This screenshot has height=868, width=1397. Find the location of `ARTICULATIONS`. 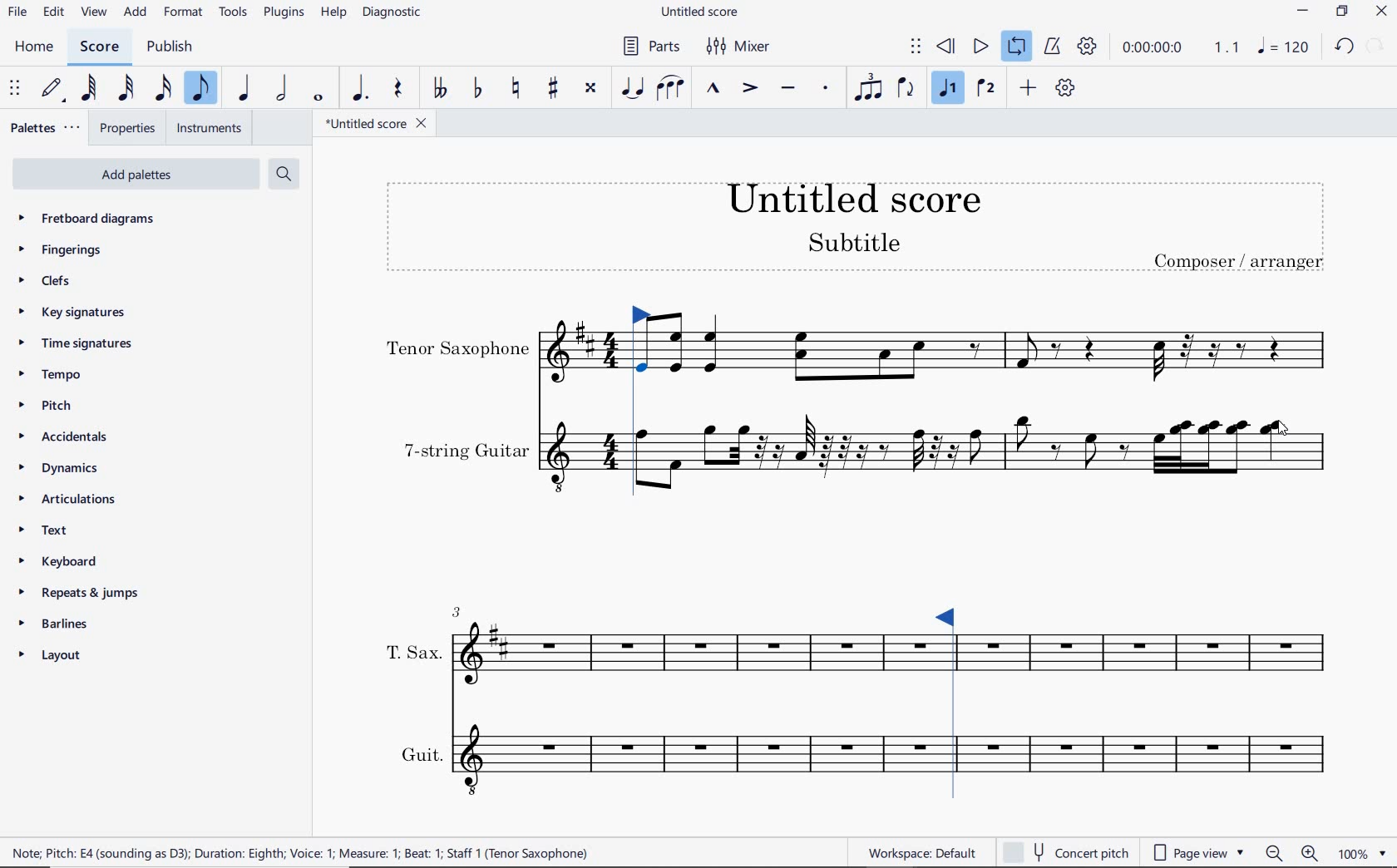

ARTICULATIONS is located at coordinates (67, 499).